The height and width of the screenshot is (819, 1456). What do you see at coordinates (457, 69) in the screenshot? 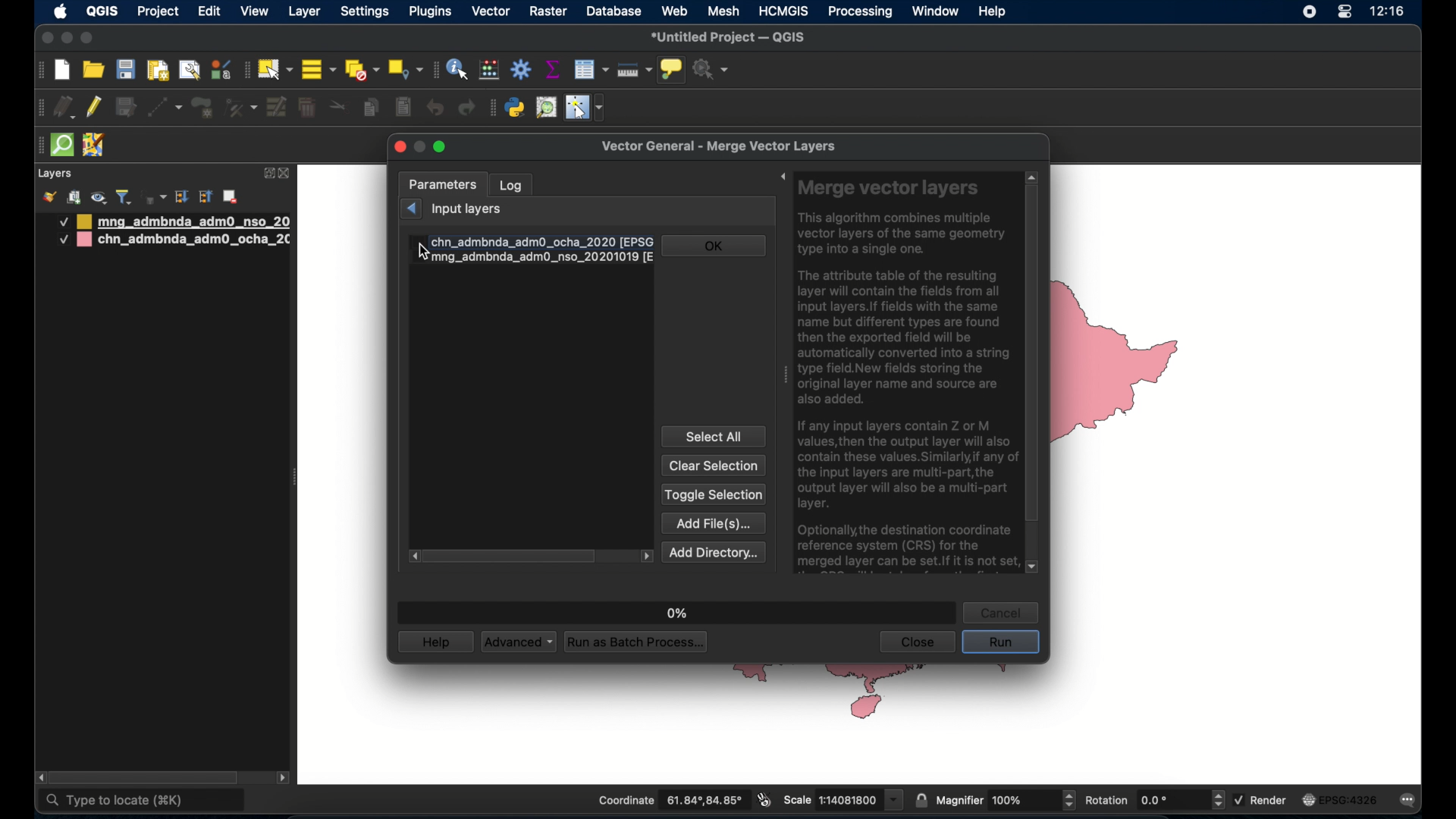
I see `identify features` at bounding box center [457, 69].